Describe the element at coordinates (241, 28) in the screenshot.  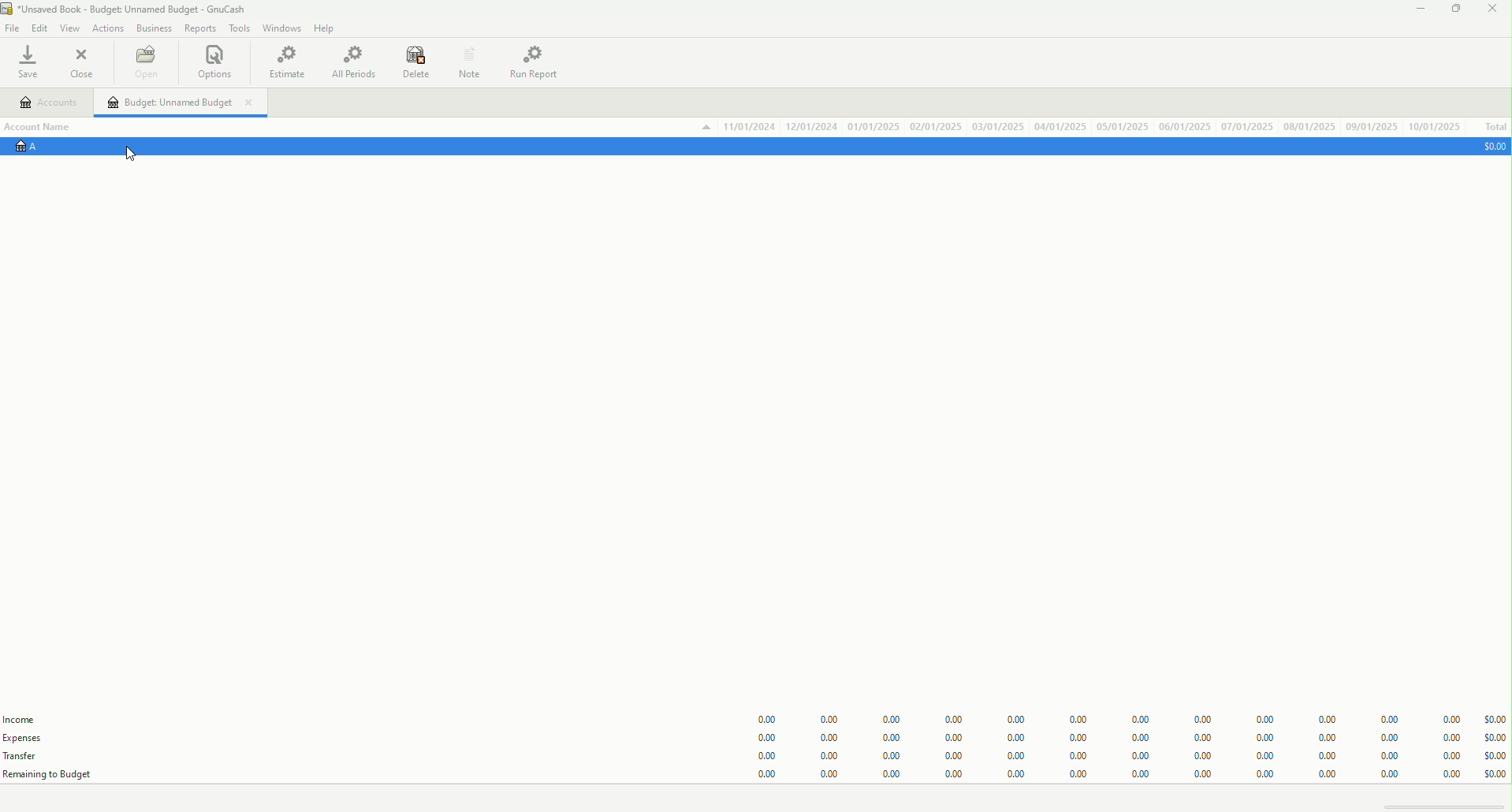
I see `Tools` at that location.